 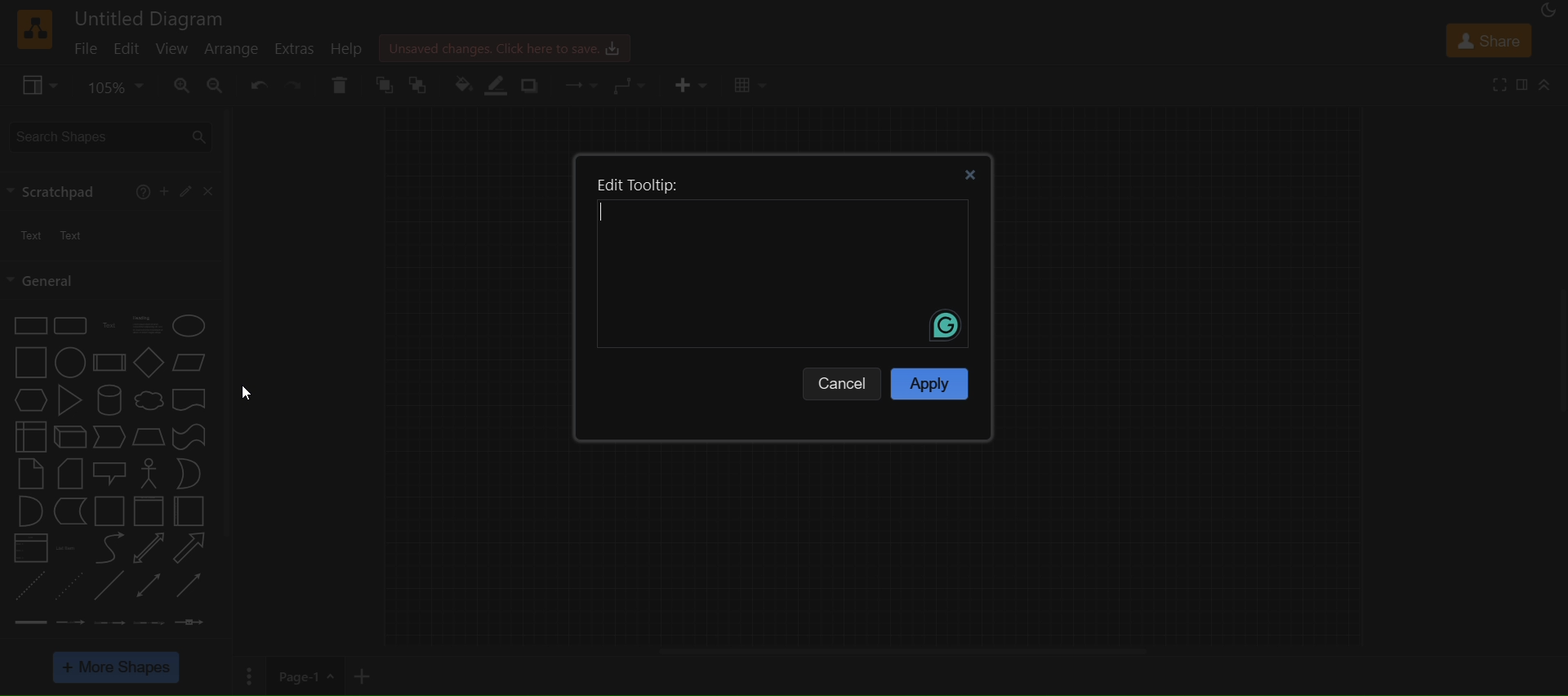 What do you see at coordinates (1486, 39) in the screenshot?
I see `share` at bounding box center [1486, 39].